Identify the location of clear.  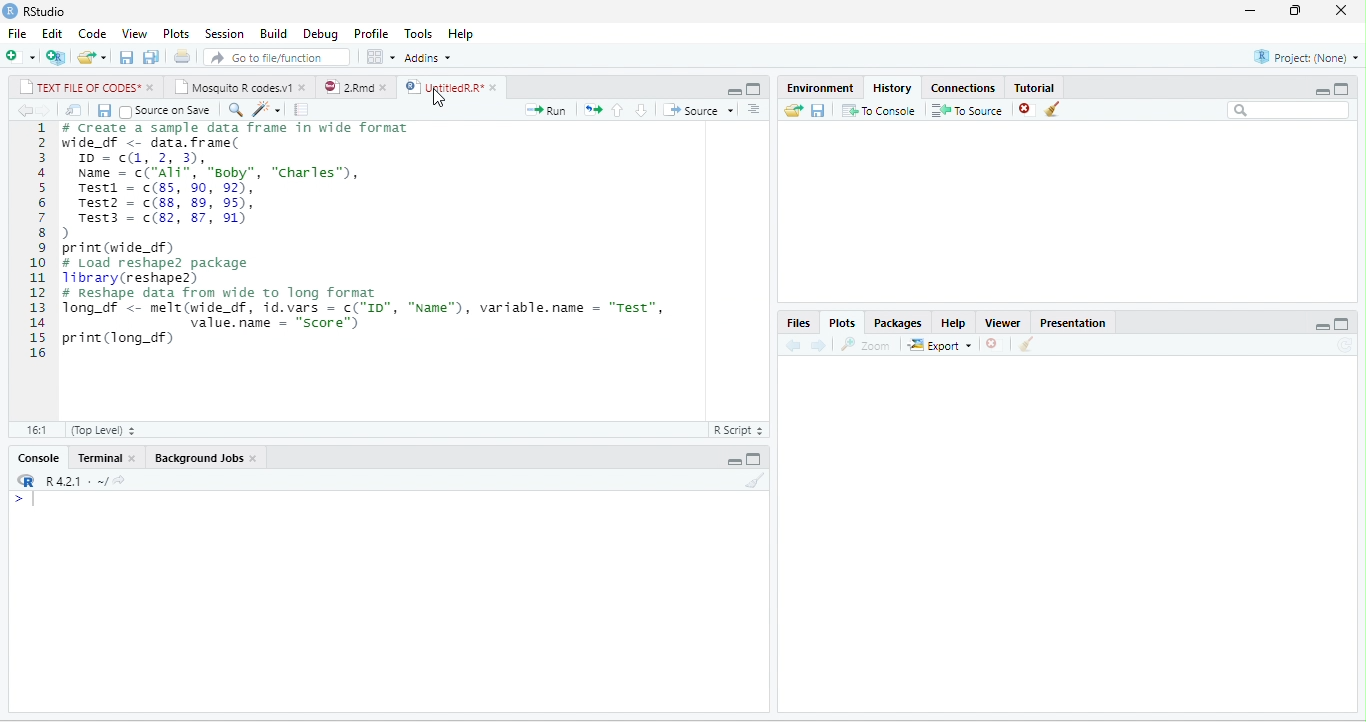
(1027, 344).